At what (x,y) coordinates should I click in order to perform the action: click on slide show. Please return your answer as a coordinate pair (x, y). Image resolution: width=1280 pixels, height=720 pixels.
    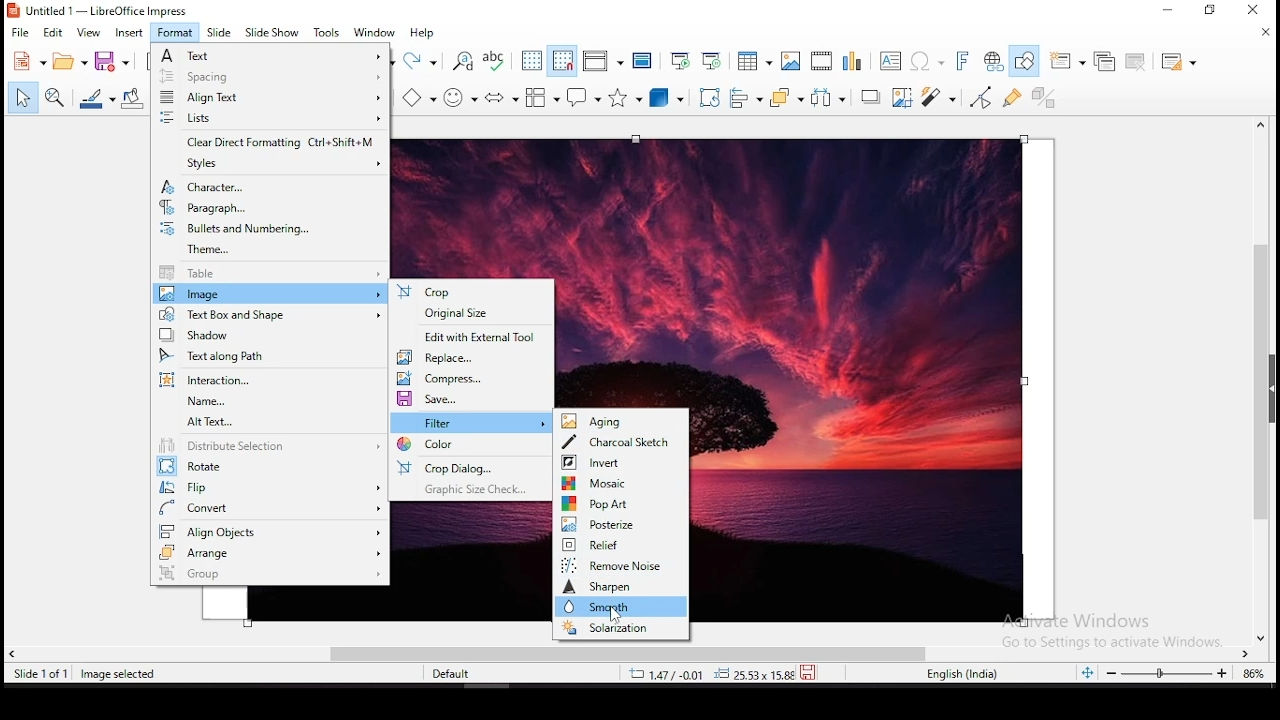
    Looking at the image, I should click on (273, 32).